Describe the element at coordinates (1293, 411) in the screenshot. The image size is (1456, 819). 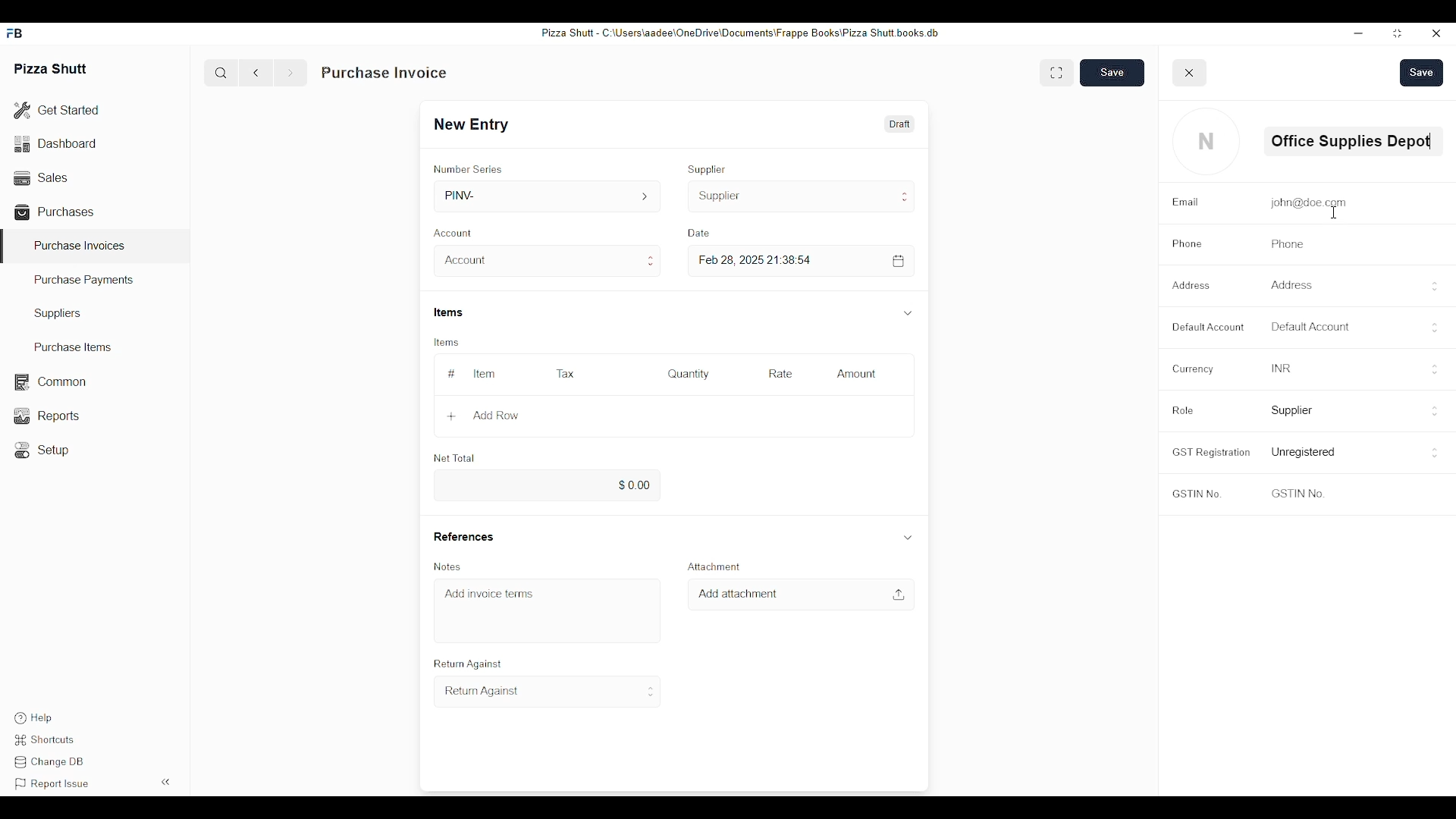
I see `Supplier` at that location.